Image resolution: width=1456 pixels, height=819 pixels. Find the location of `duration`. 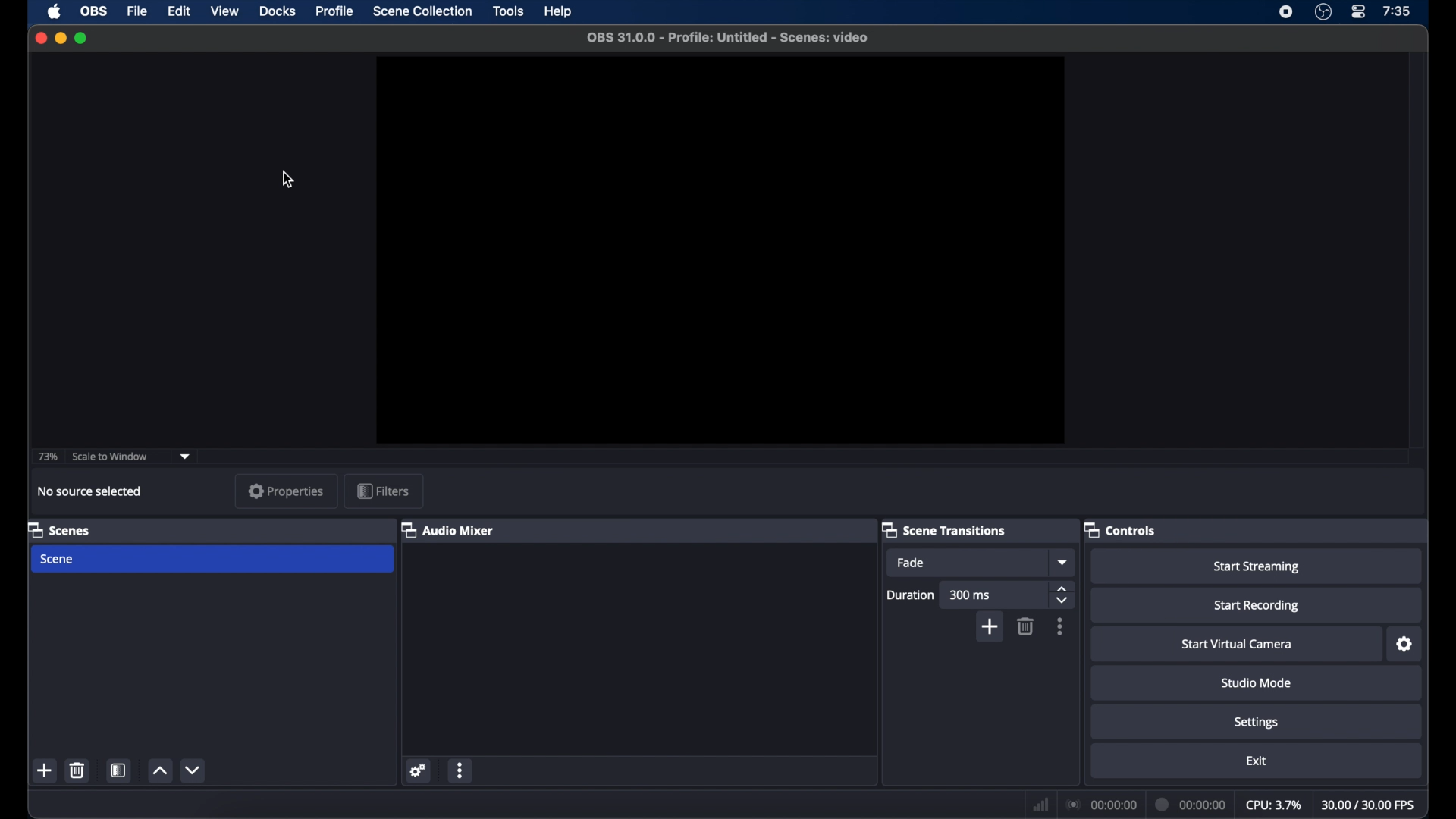

duration is located at coordinates (909, 595).